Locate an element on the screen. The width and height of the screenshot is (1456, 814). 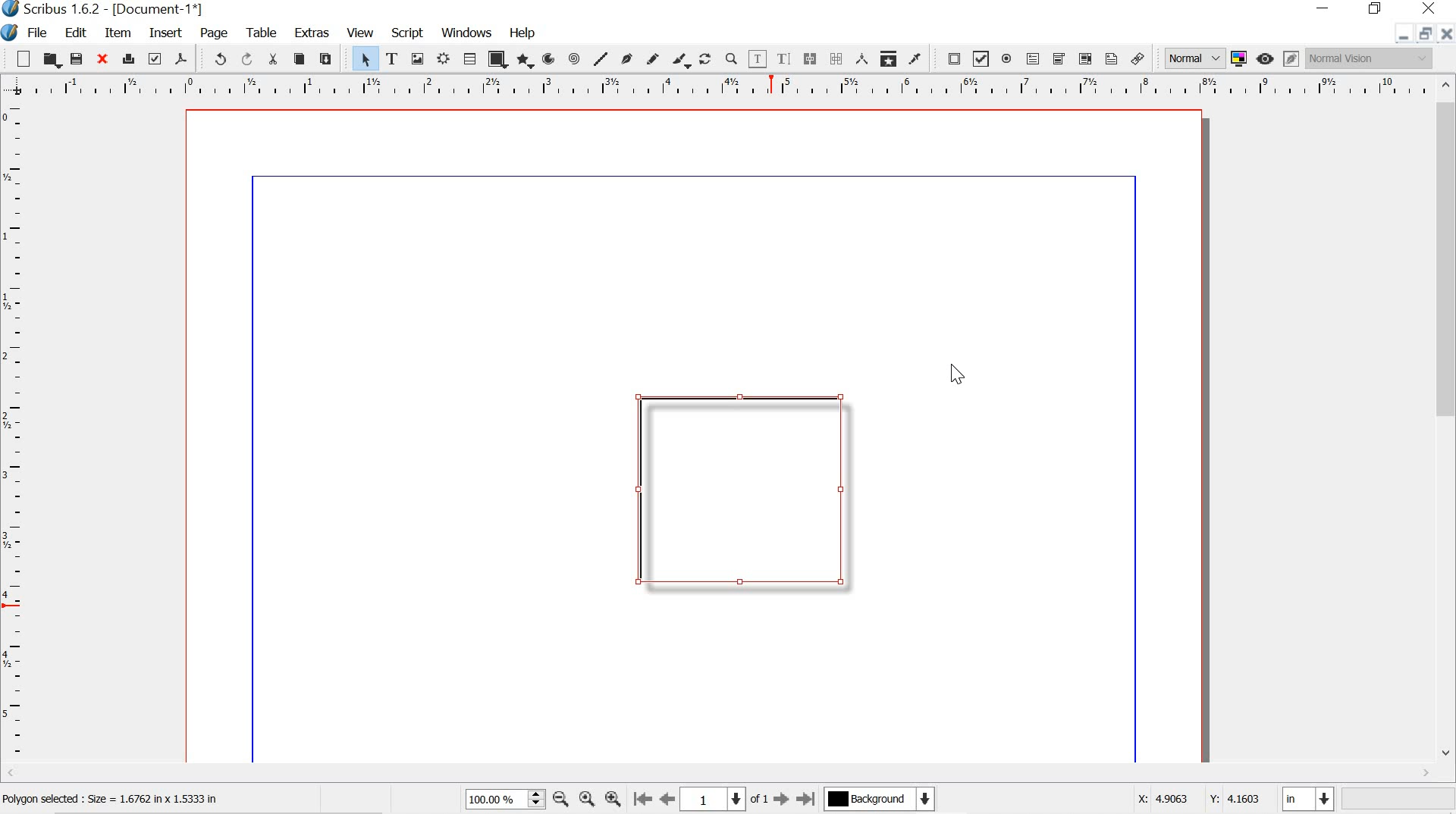
link annotation is located at coordinates (1141, 58).